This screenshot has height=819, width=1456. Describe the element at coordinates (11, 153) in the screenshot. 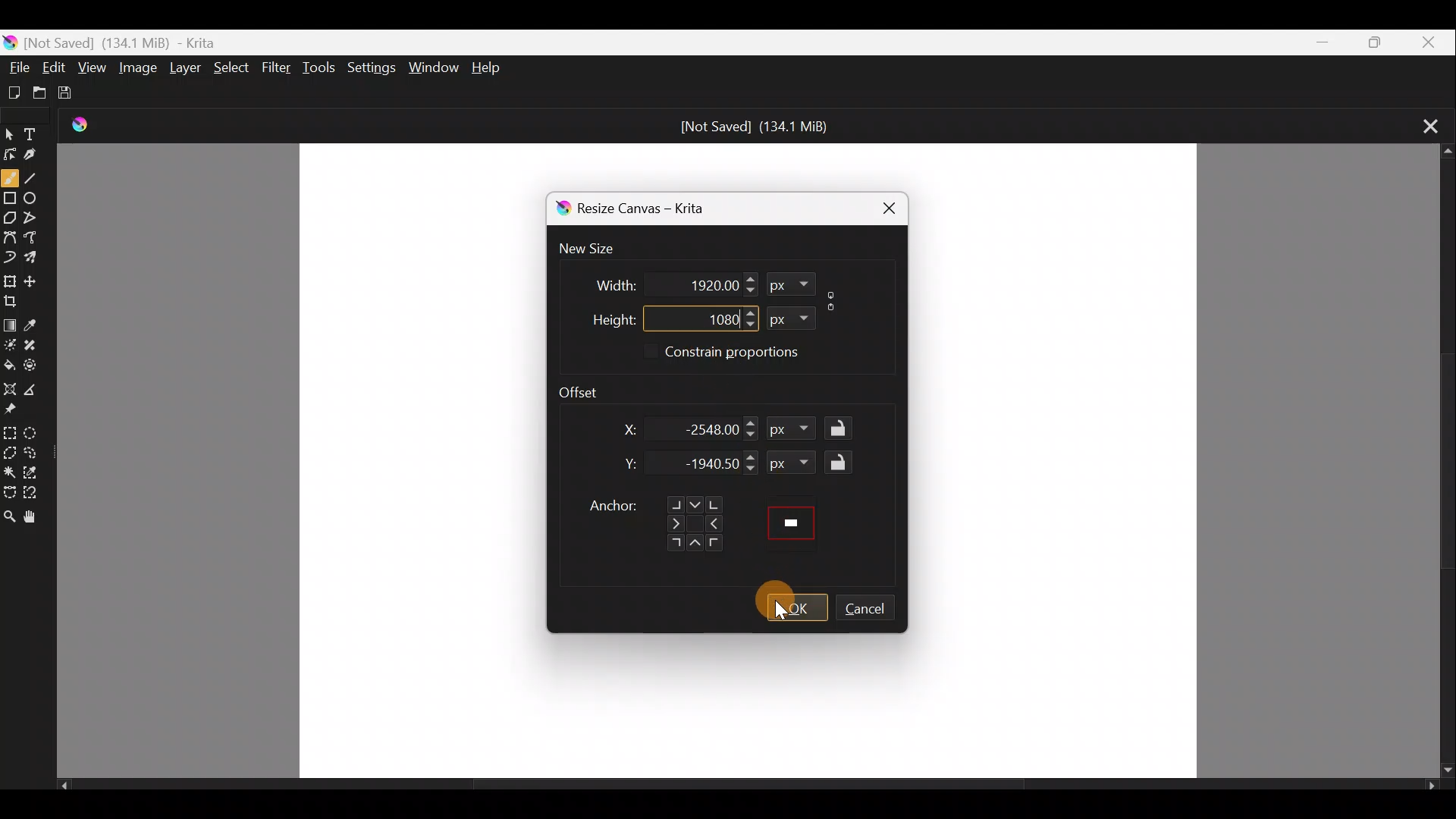

I see `Edit shapes tool` at that location.